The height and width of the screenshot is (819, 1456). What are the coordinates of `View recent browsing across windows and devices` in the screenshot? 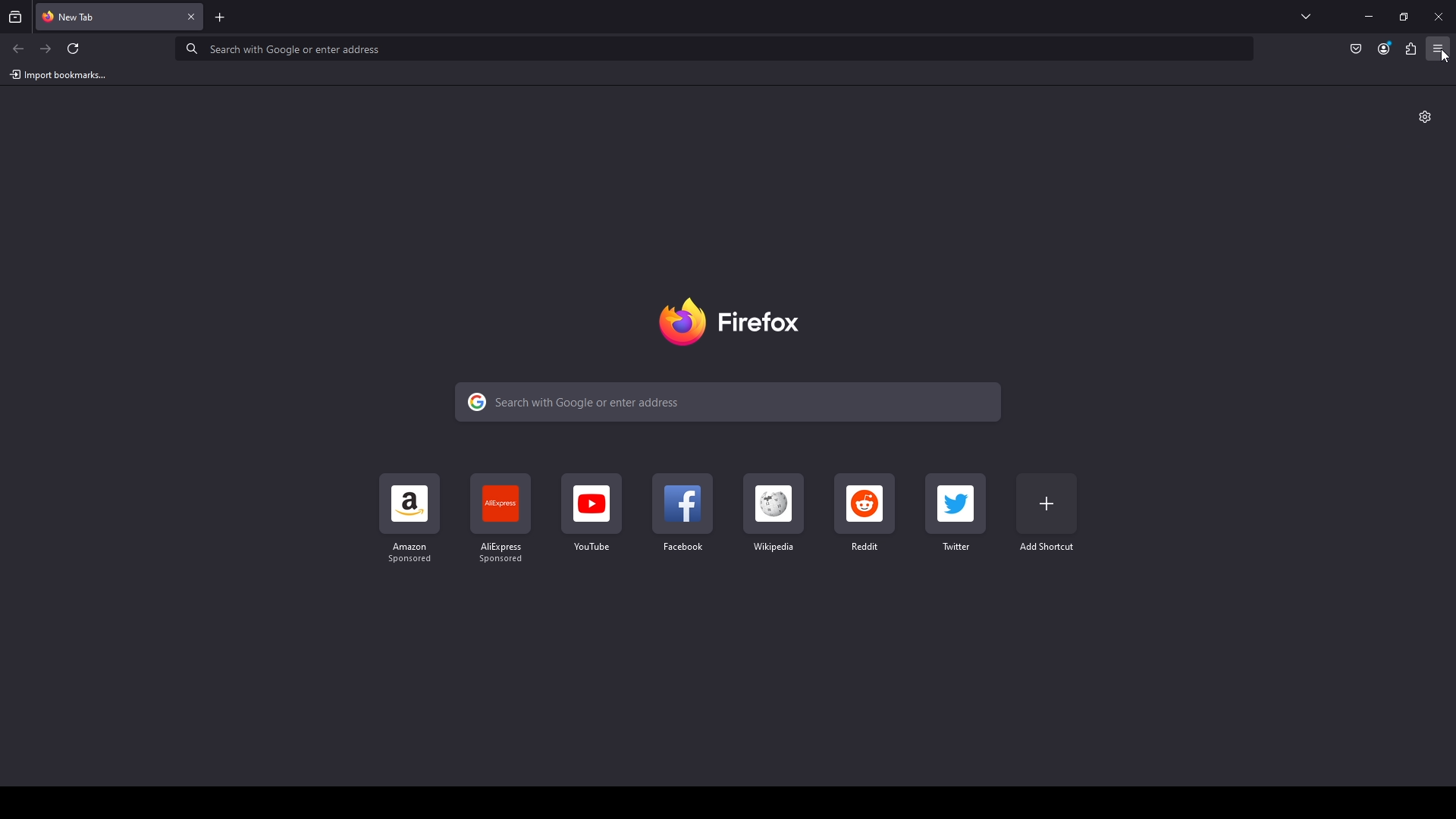 It's located at (17, 17).